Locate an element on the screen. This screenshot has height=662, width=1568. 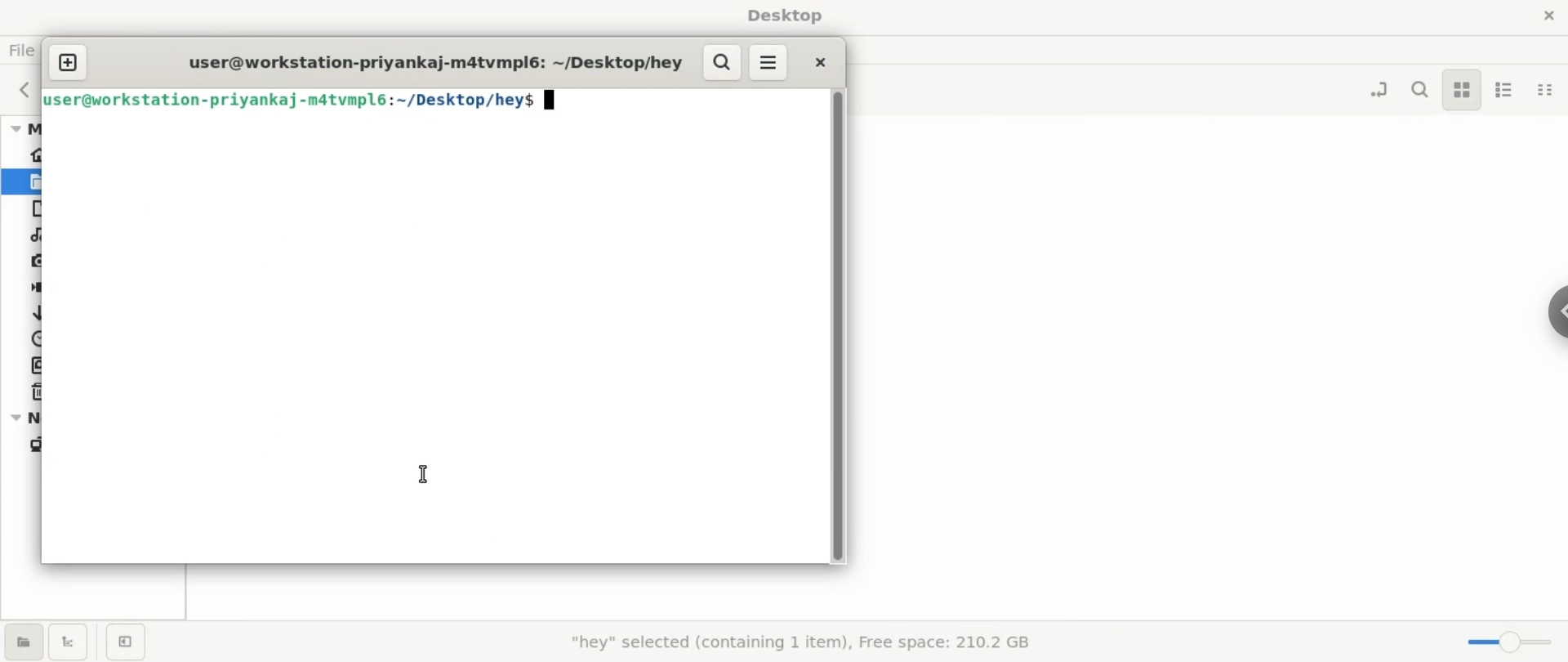
close is located at coordinates (817, 60).